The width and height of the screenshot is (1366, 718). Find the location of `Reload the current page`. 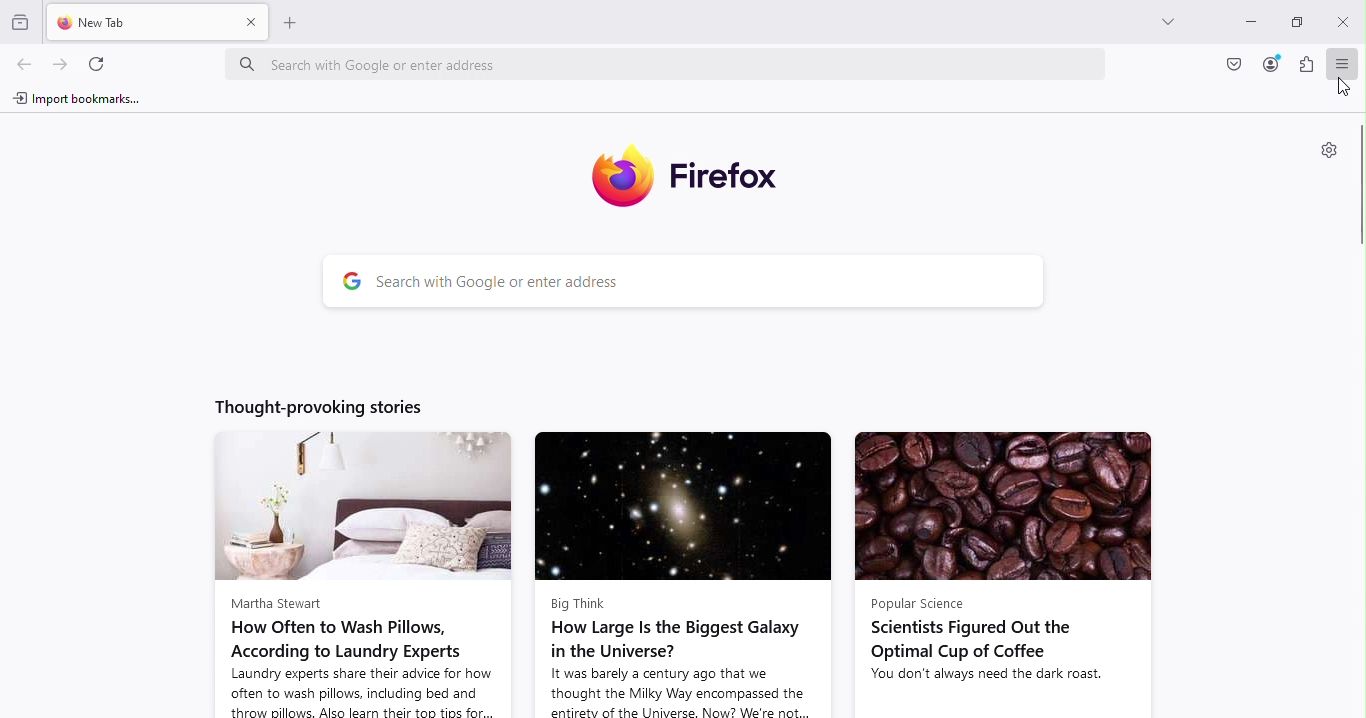

Reload the current page is located at coordinates (101, 65).